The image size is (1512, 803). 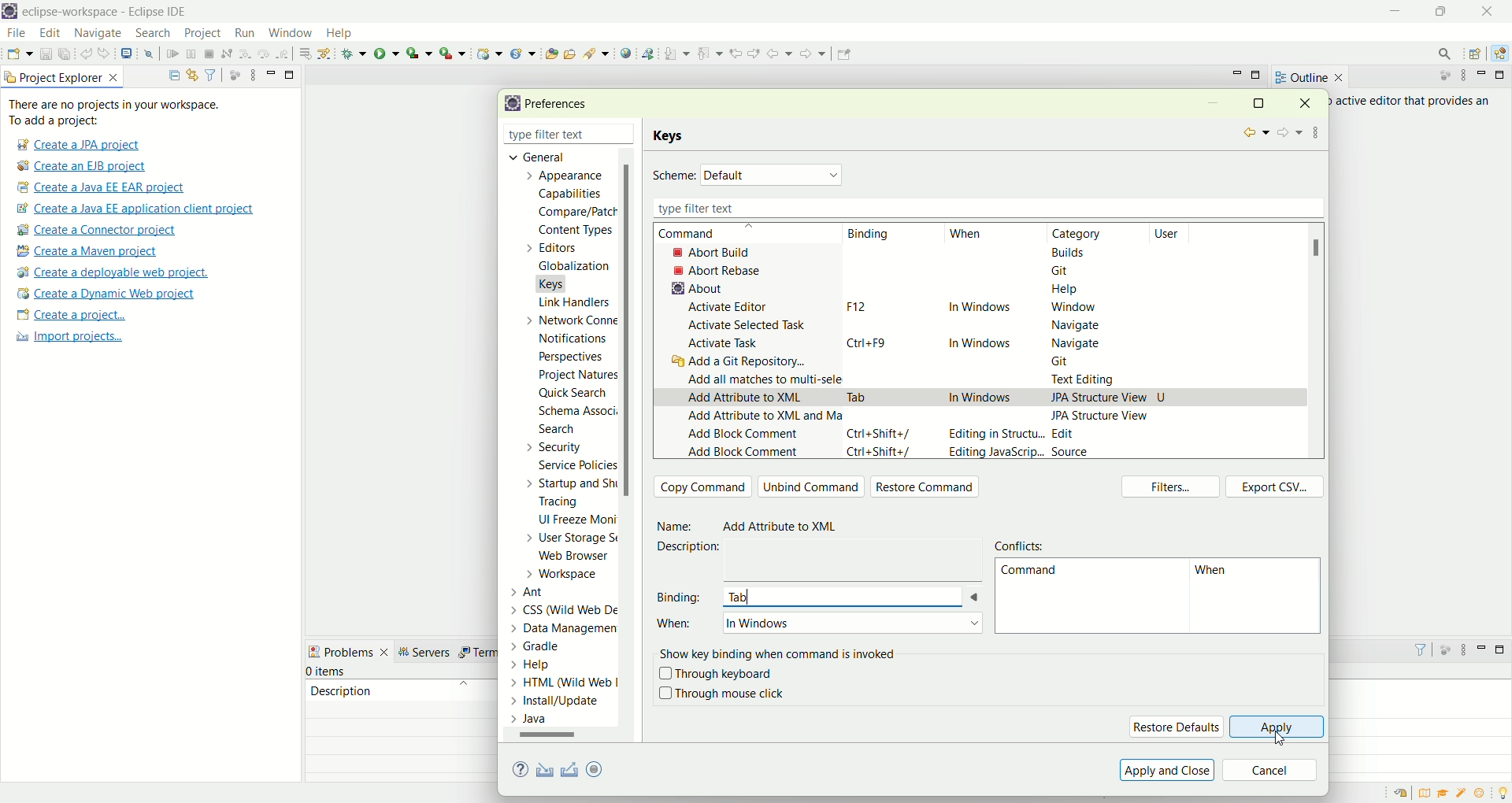 I want to click on keys, so click(x=561, y=282).